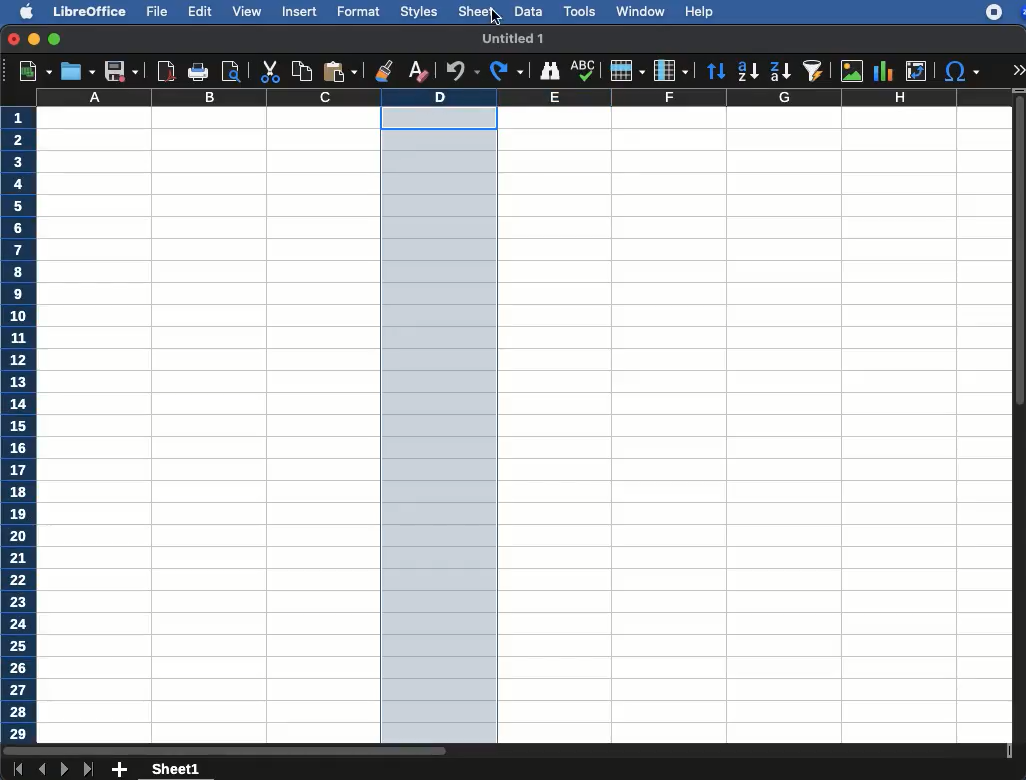 The image size is (1026, 780). I want to click on special character, so click(962, 73).